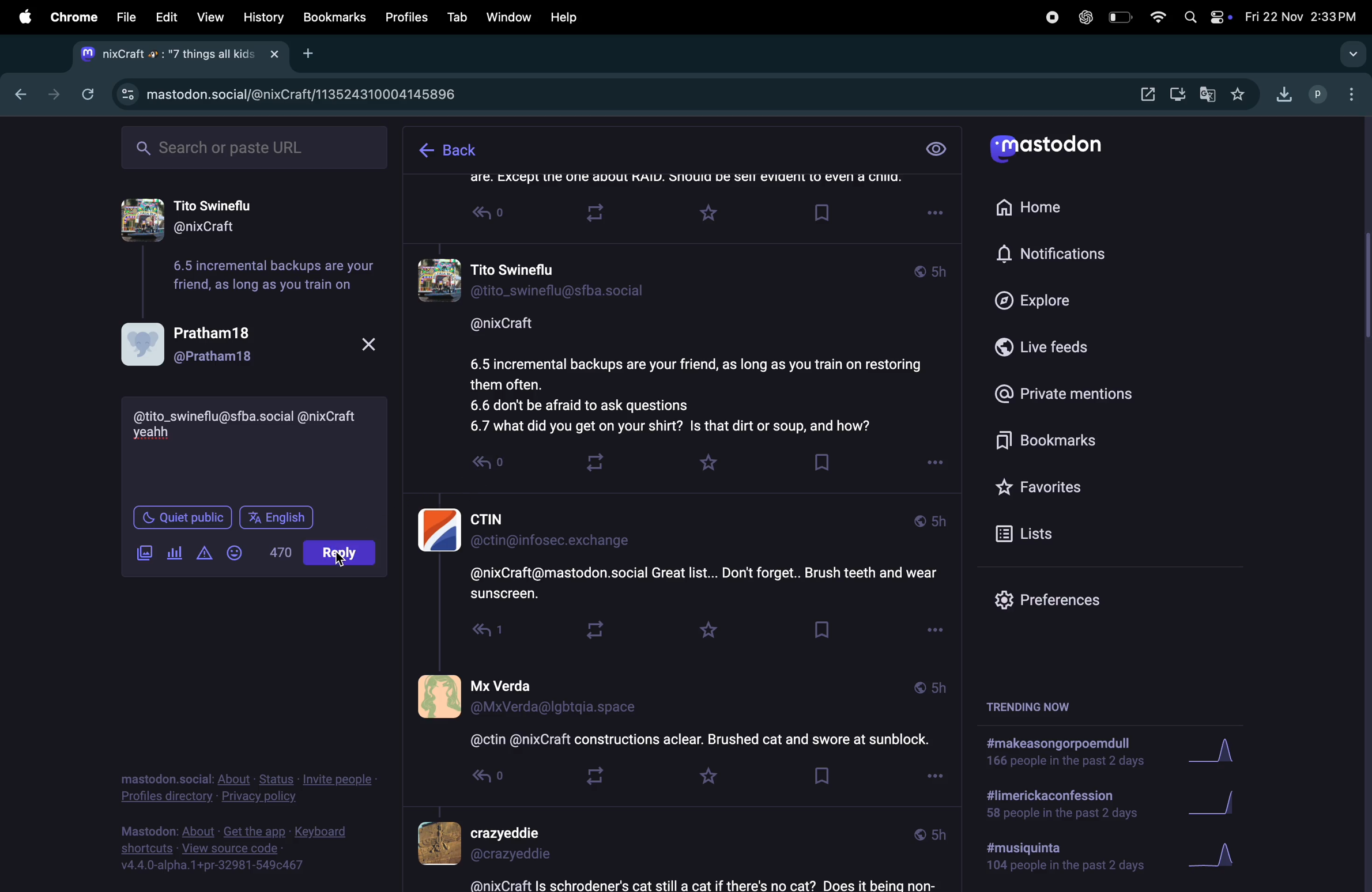 Image resolution: width=1372 pixels, height=892 pixels. What do you see at coordinates (1037, 207) in the screenshot?
I see `home` at bounding box center [1037, 207].